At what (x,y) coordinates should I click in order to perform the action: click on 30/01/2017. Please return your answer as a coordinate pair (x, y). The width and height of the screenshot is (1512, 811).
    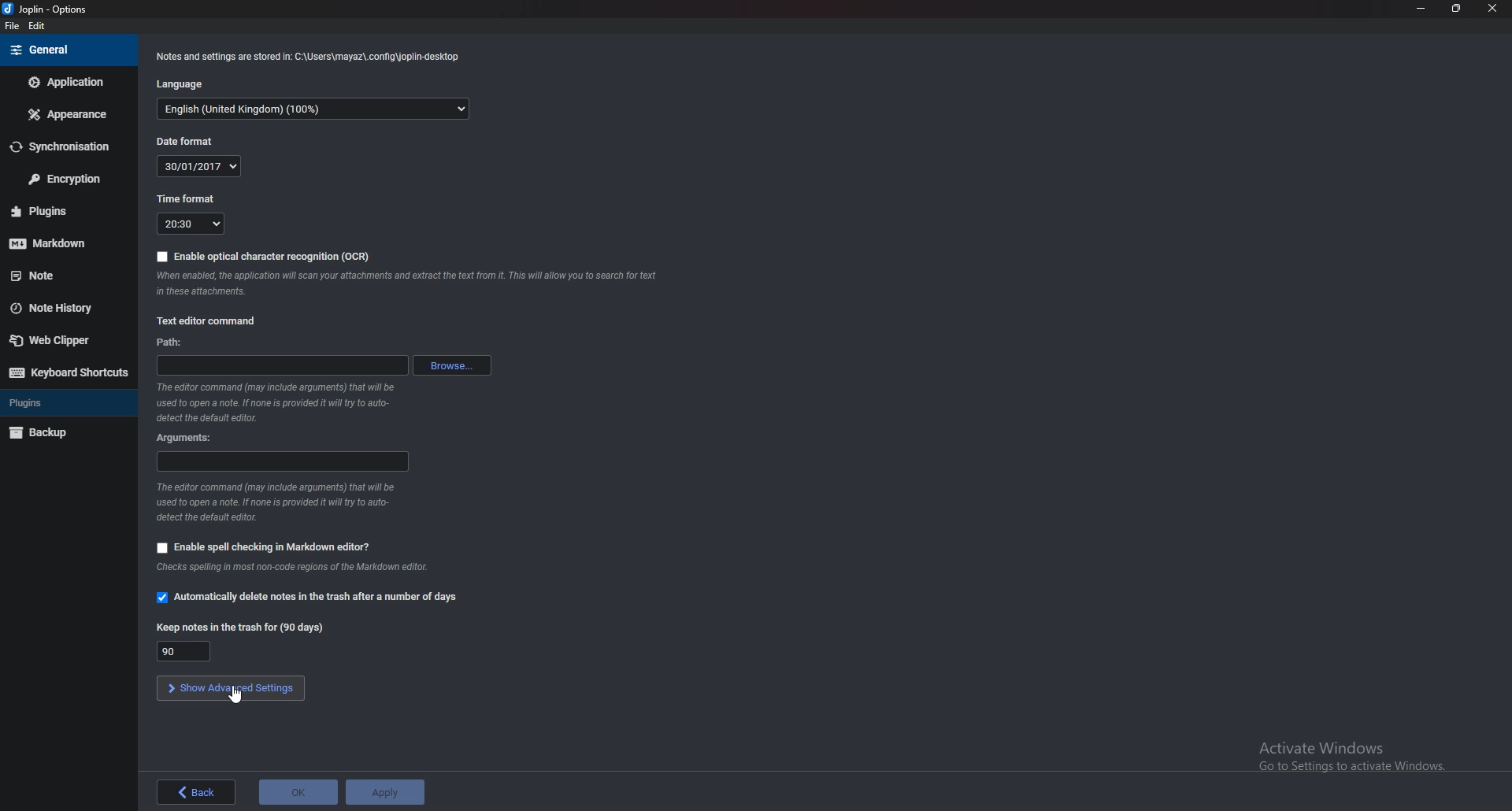
    Looking at the image, I should click on (200, 166).